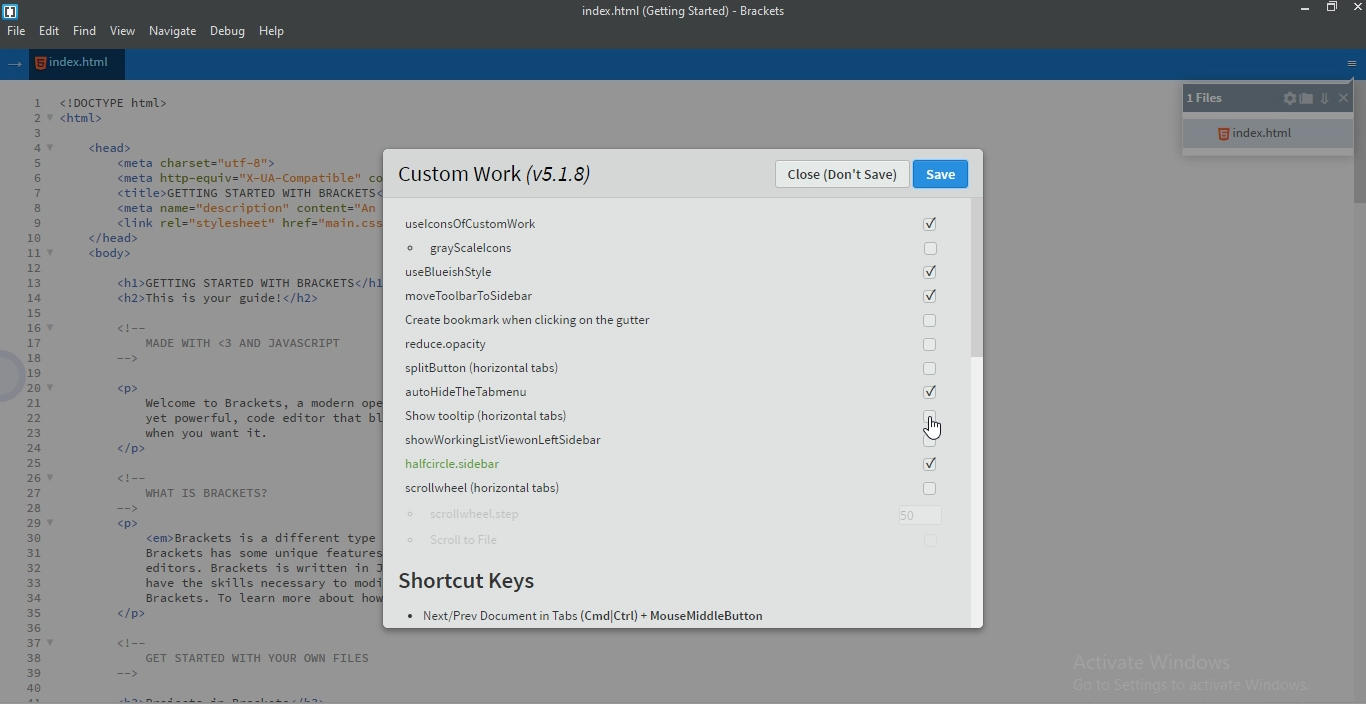 Image resolution: width=1366 pixels, height=704 pixels. What do you see at coordinates (124, 31) in the screenshot?
I see `view` at bounding box center [124, 31].